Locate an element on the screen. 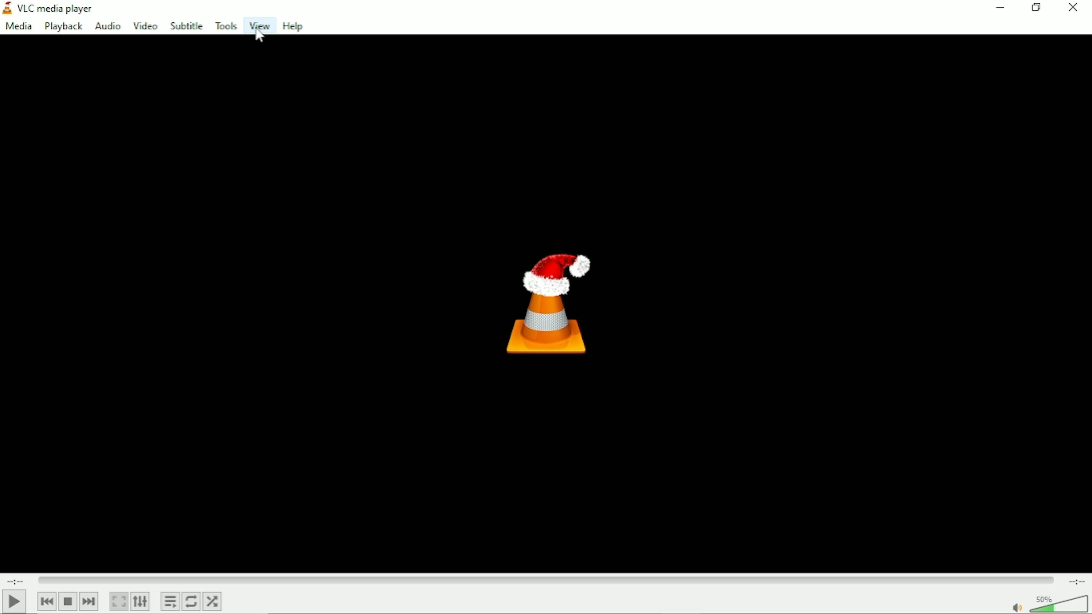 The width and height of the screenshot is (1092, 614). Stop playlist is located at coordinates (68, 601).